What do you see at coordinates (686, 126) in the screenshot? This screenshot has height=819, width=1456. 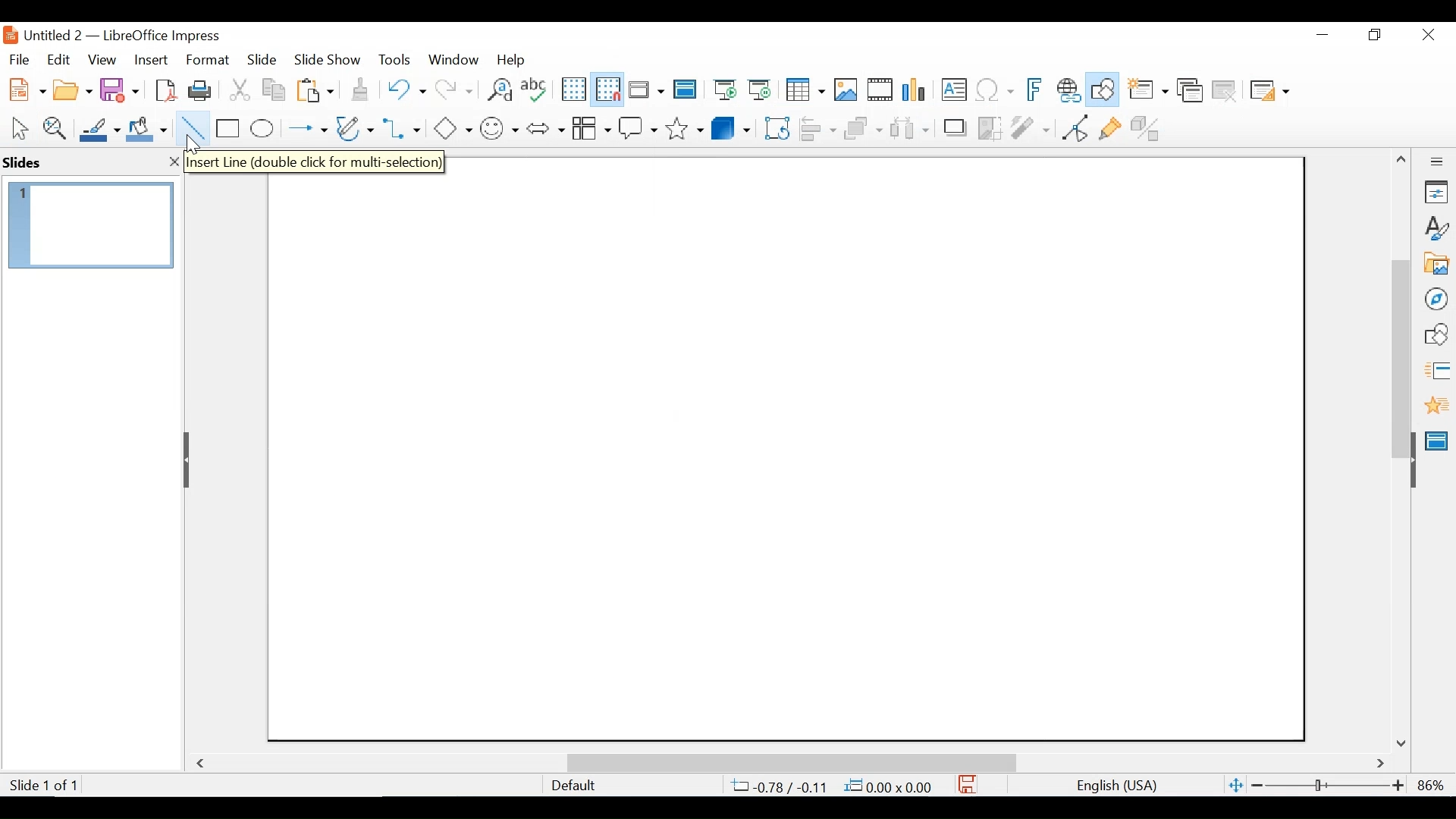 I see `Stars and Banners` at bounding box center [686, 126].